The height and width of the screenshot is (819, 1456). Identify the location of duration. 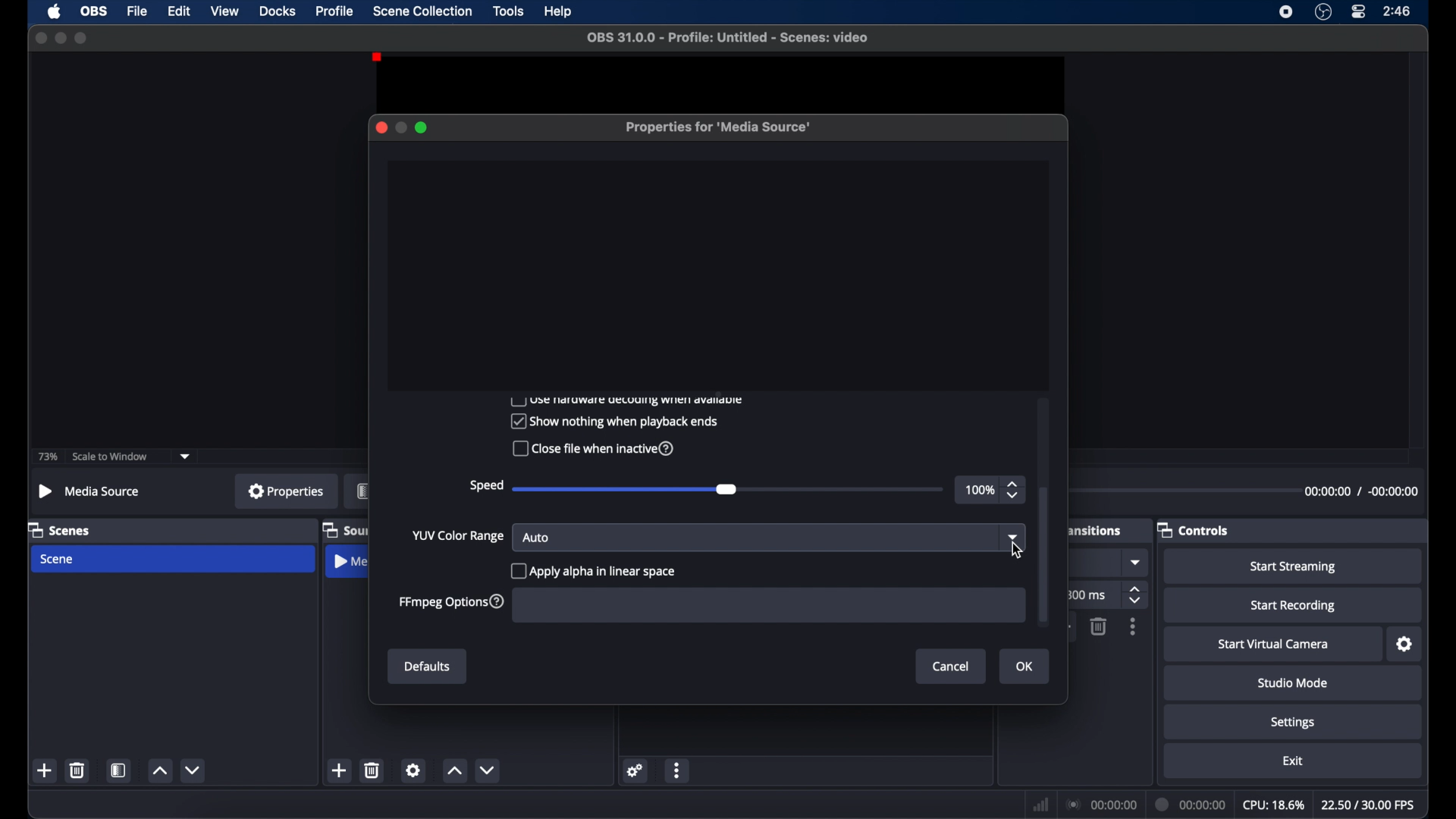
(1191, 804).